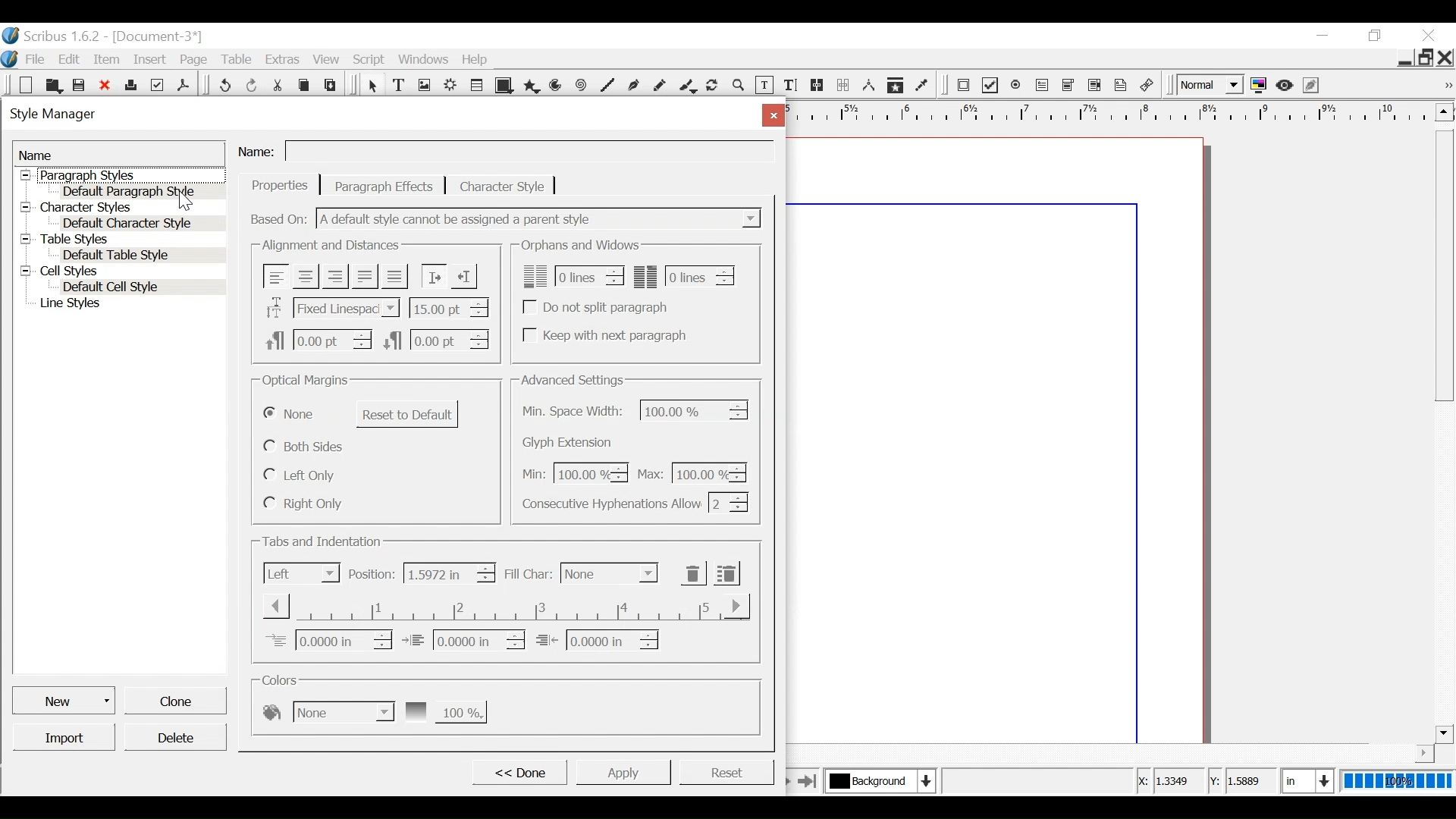  I want to click on Close, so click(1431, 36).